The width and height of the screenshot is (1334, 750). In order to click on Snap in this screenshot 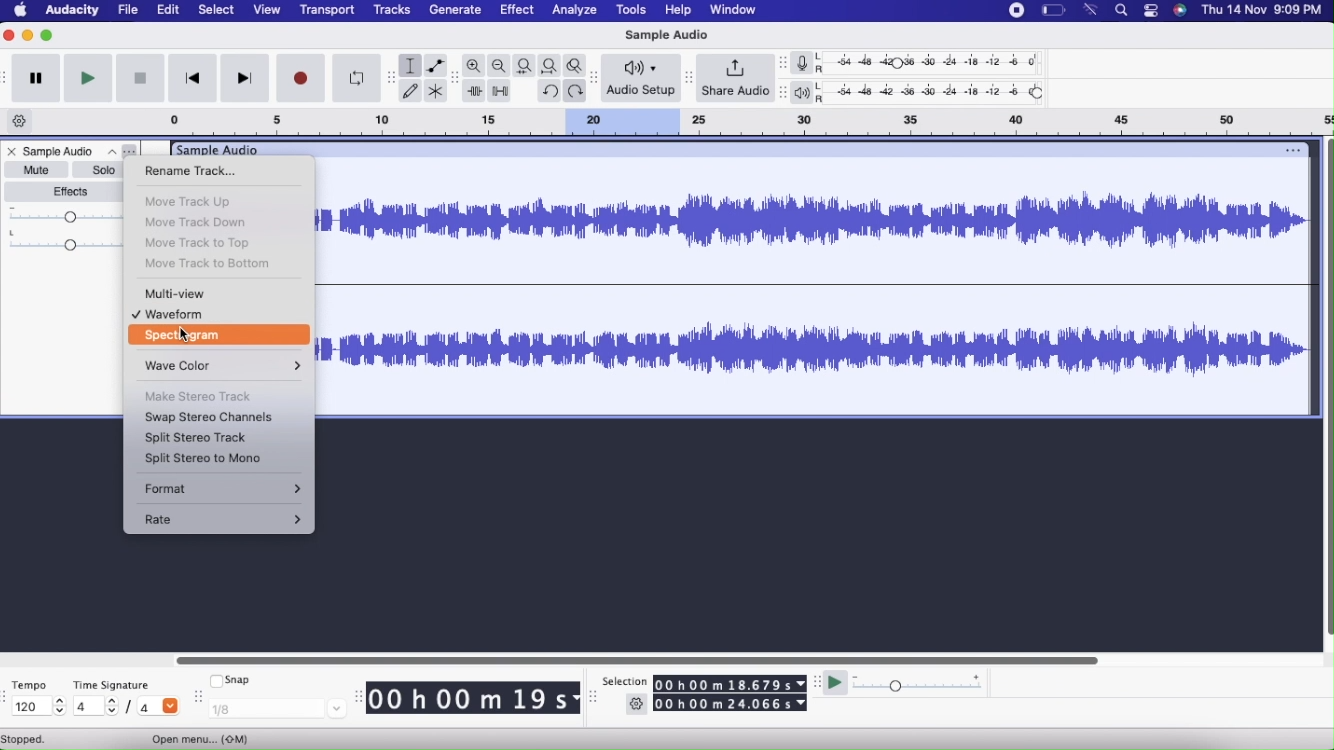, I will do `click(242, 679)`.